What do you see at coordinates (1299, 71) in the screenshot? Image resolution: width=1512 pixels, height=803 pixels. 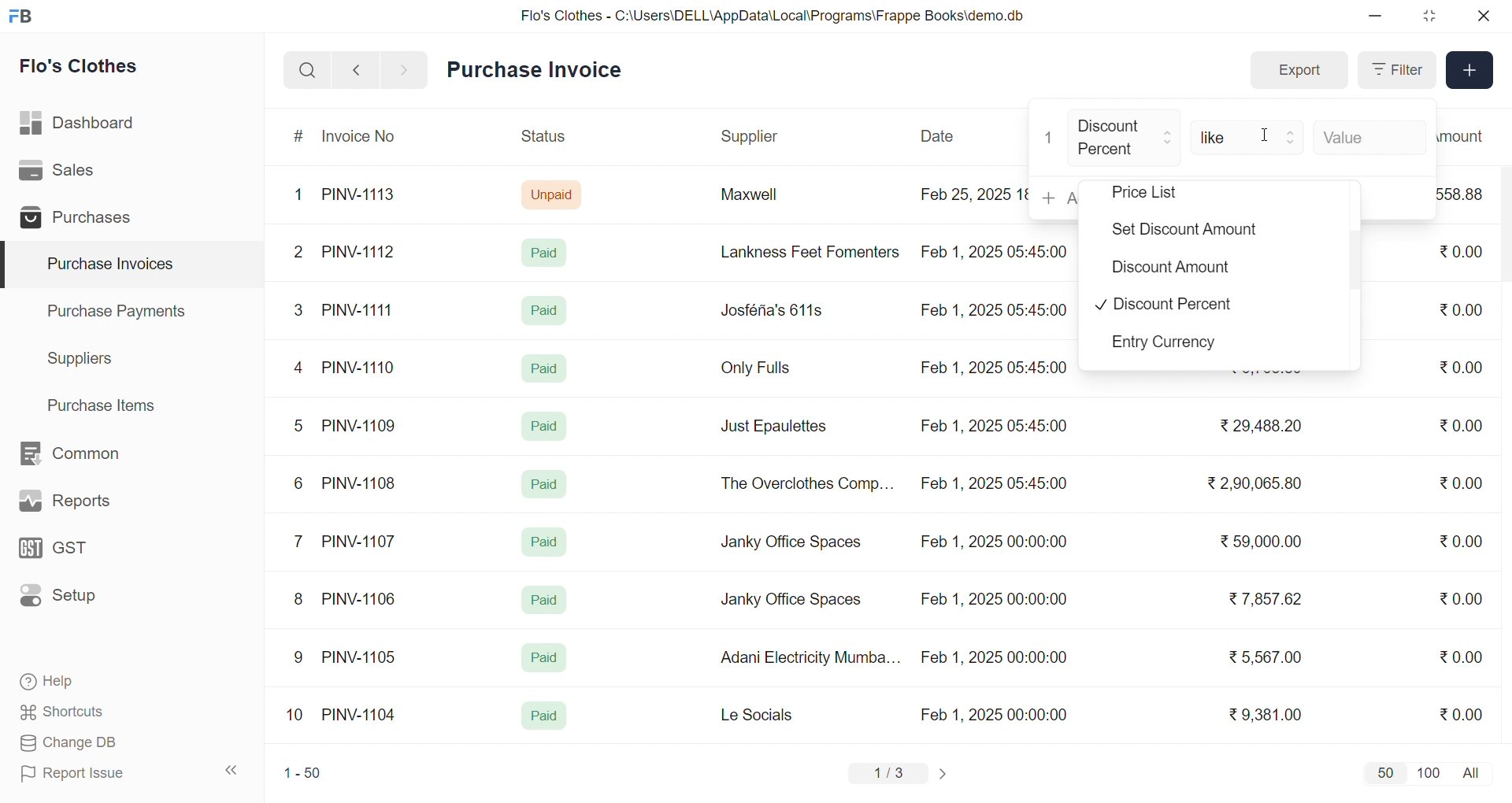 I see `Export` at bounding box center [1299, 71].